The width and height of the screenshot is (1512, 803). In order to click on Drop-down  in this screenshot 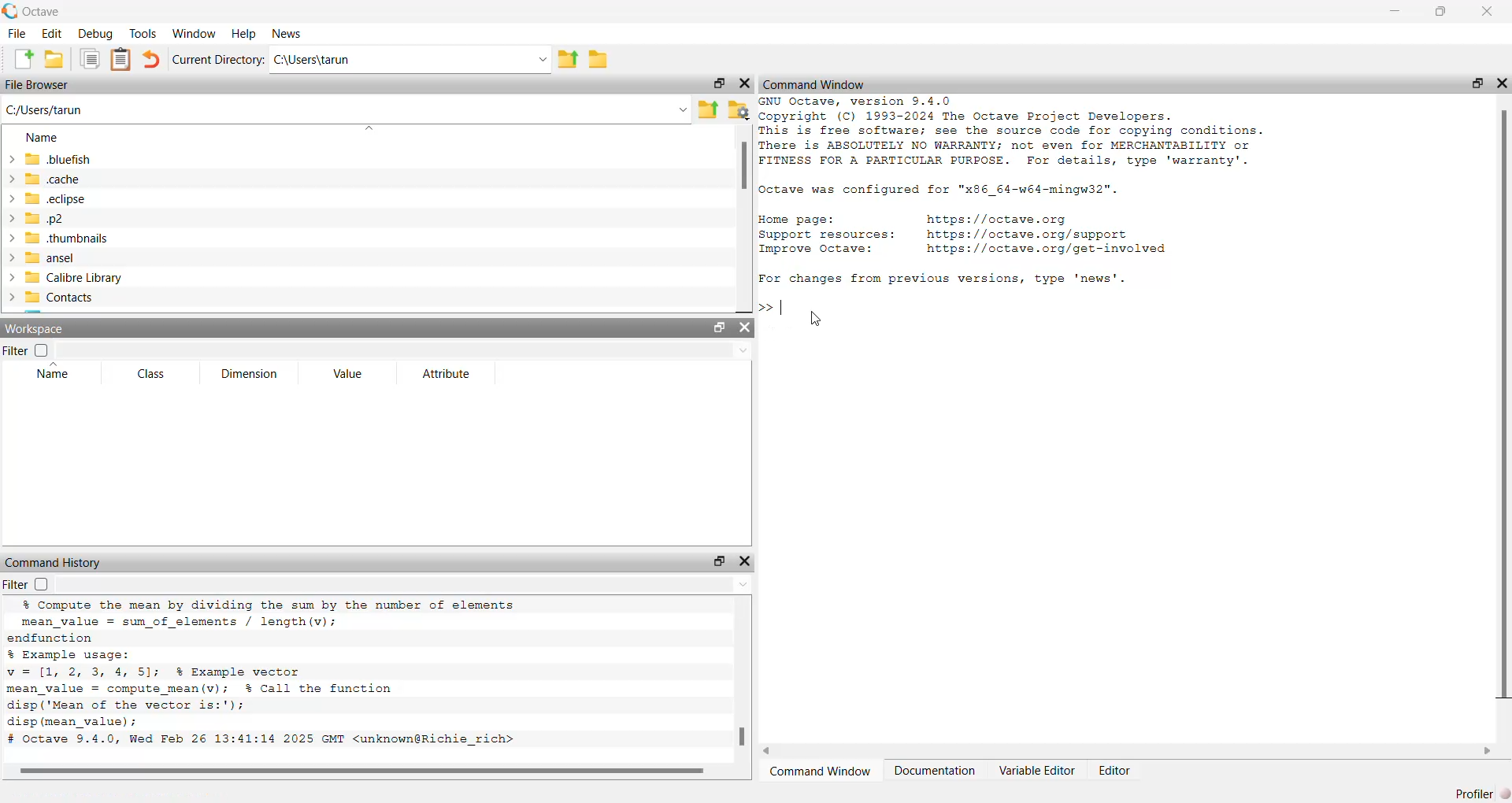, I will do `click(744, 584)`.